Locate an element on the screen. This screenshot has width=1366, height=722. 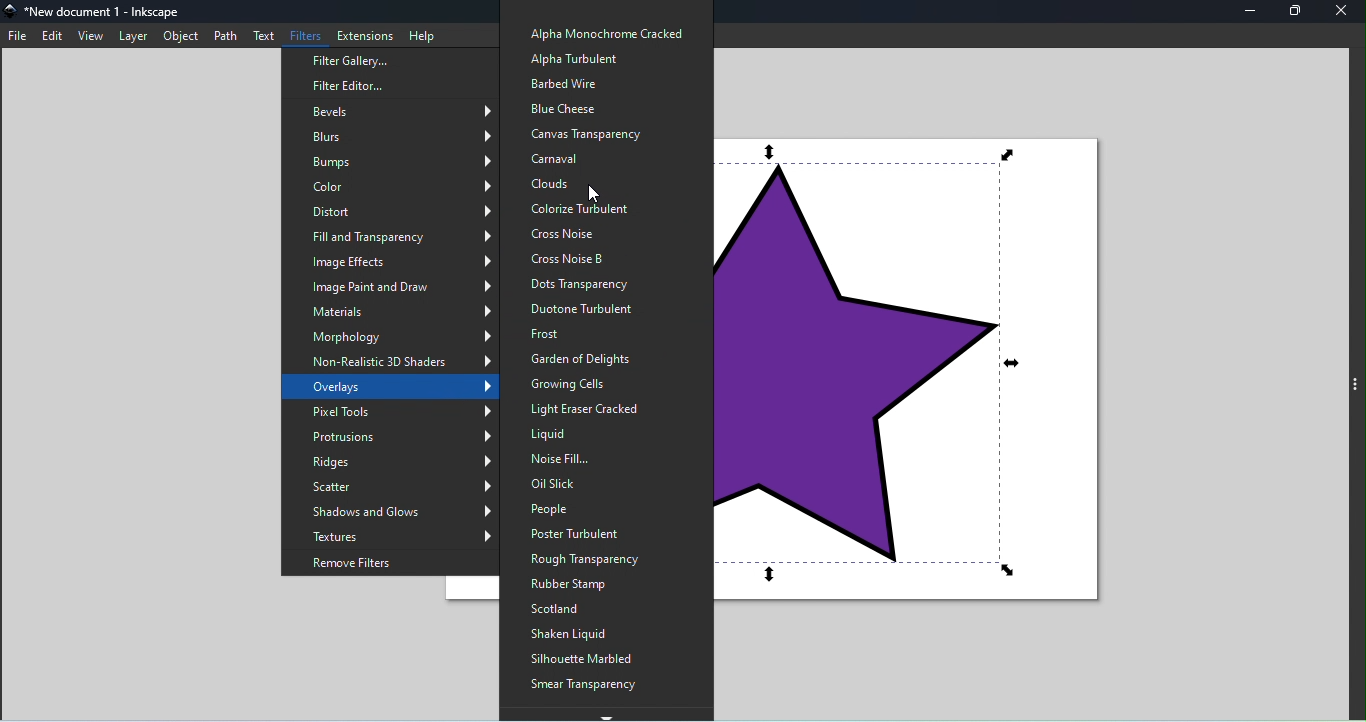
minimize is located at coordinates (1250, 12).